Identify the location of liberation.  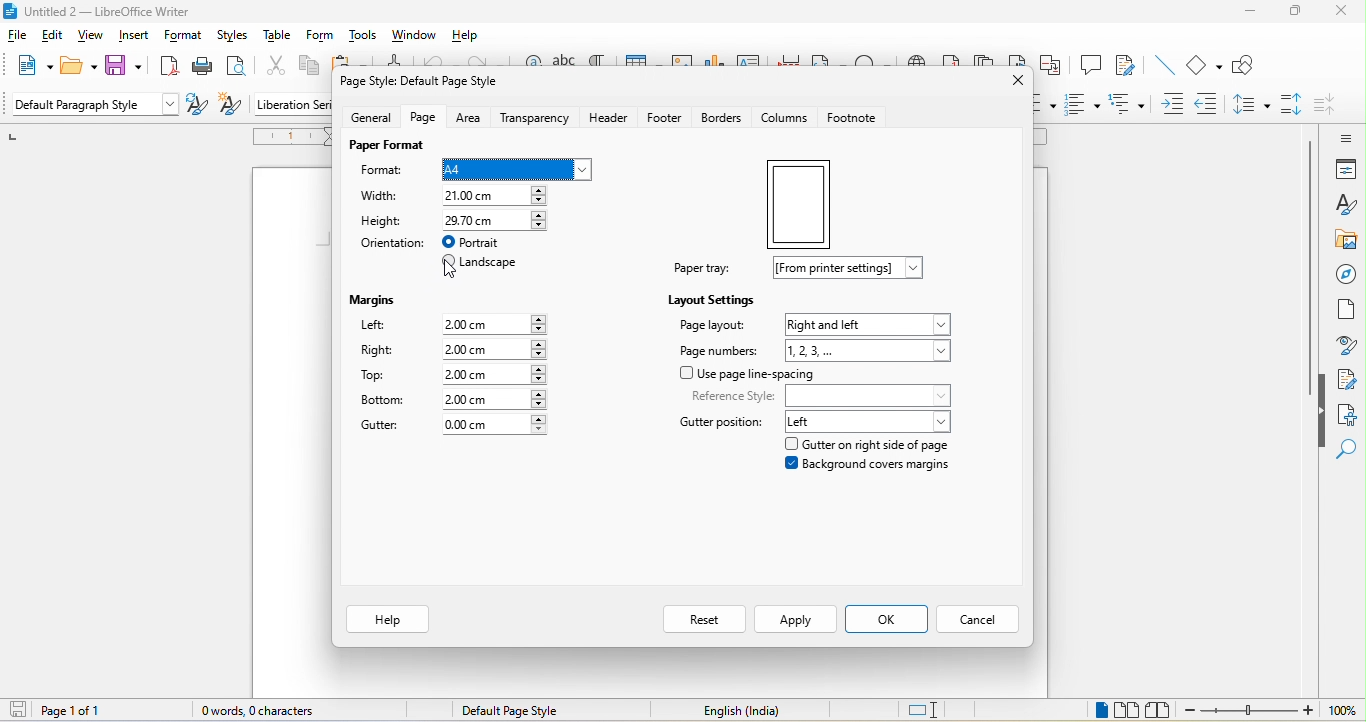
(292, 105).